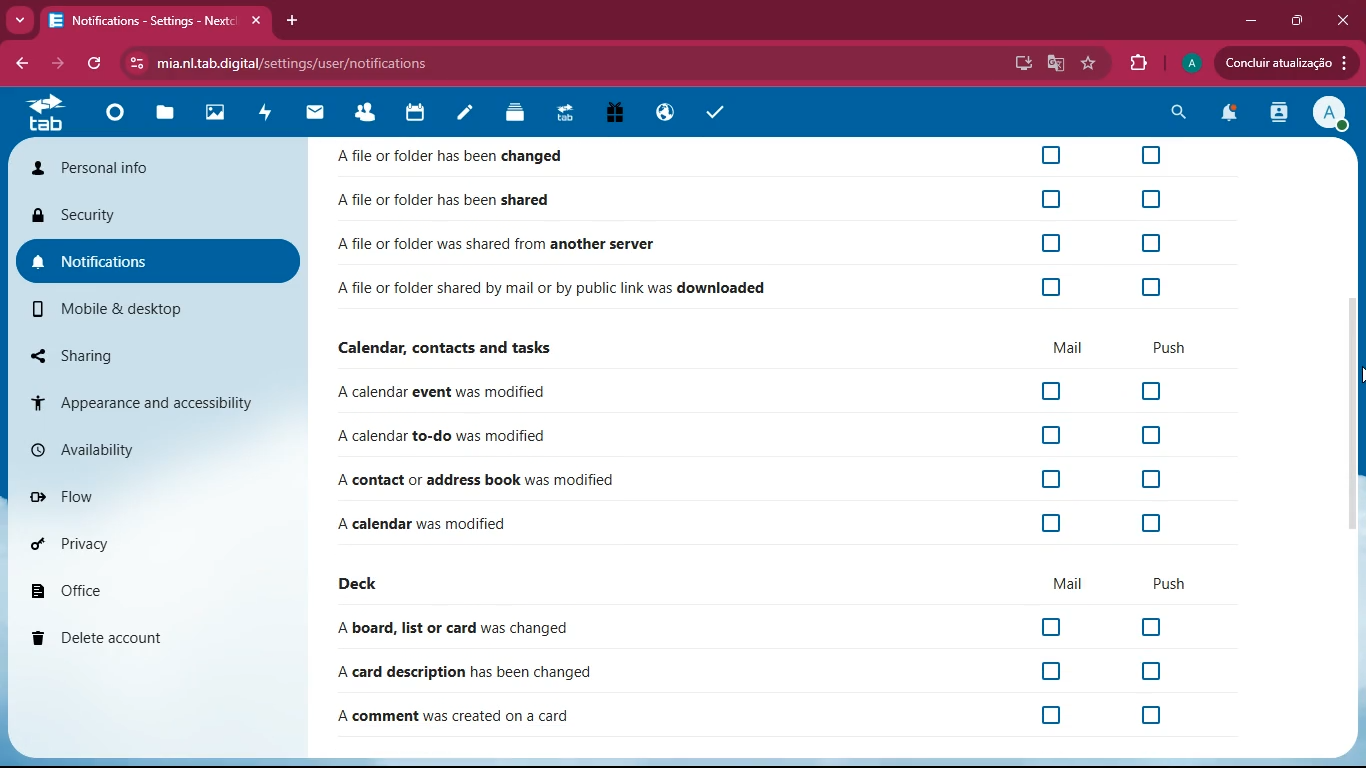  What do you see at coordinates (143, 638) in the screenshot?
I see `delete account` at bounding box center [143, 638].